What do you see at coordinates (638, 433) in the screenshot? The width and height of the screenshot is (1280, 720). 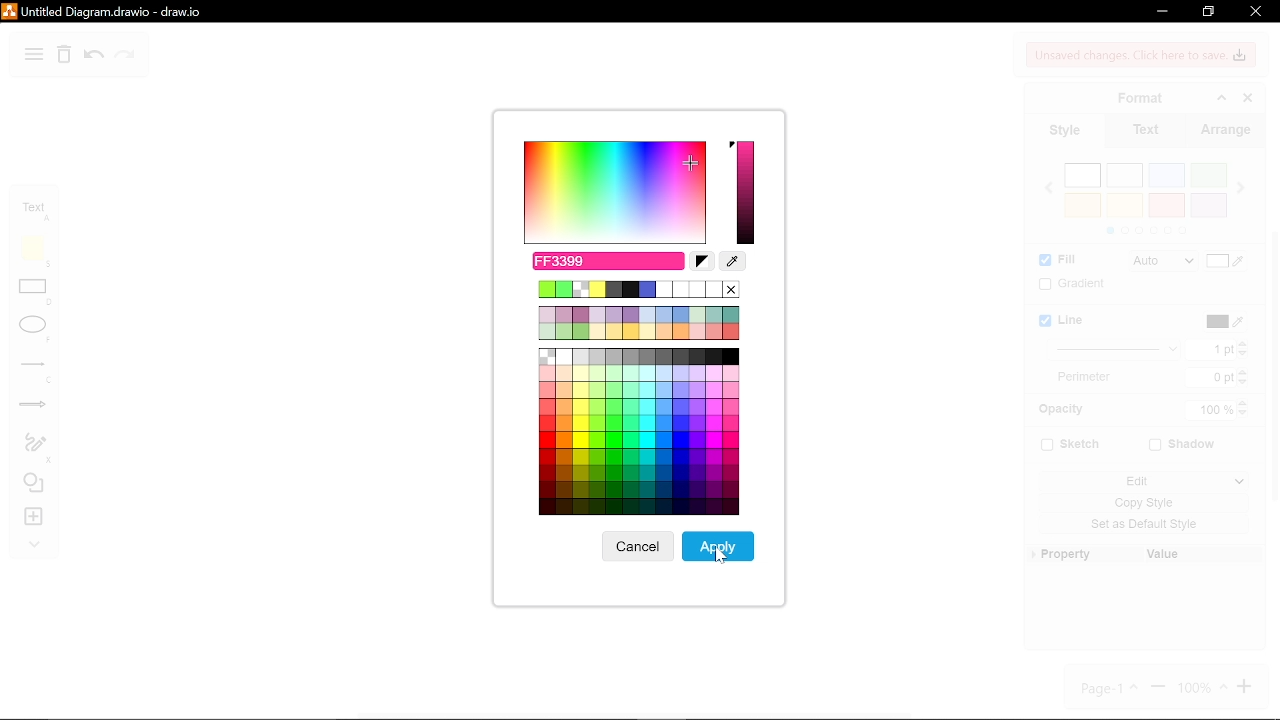 I see `all colors` at bounding box center [638, 433].